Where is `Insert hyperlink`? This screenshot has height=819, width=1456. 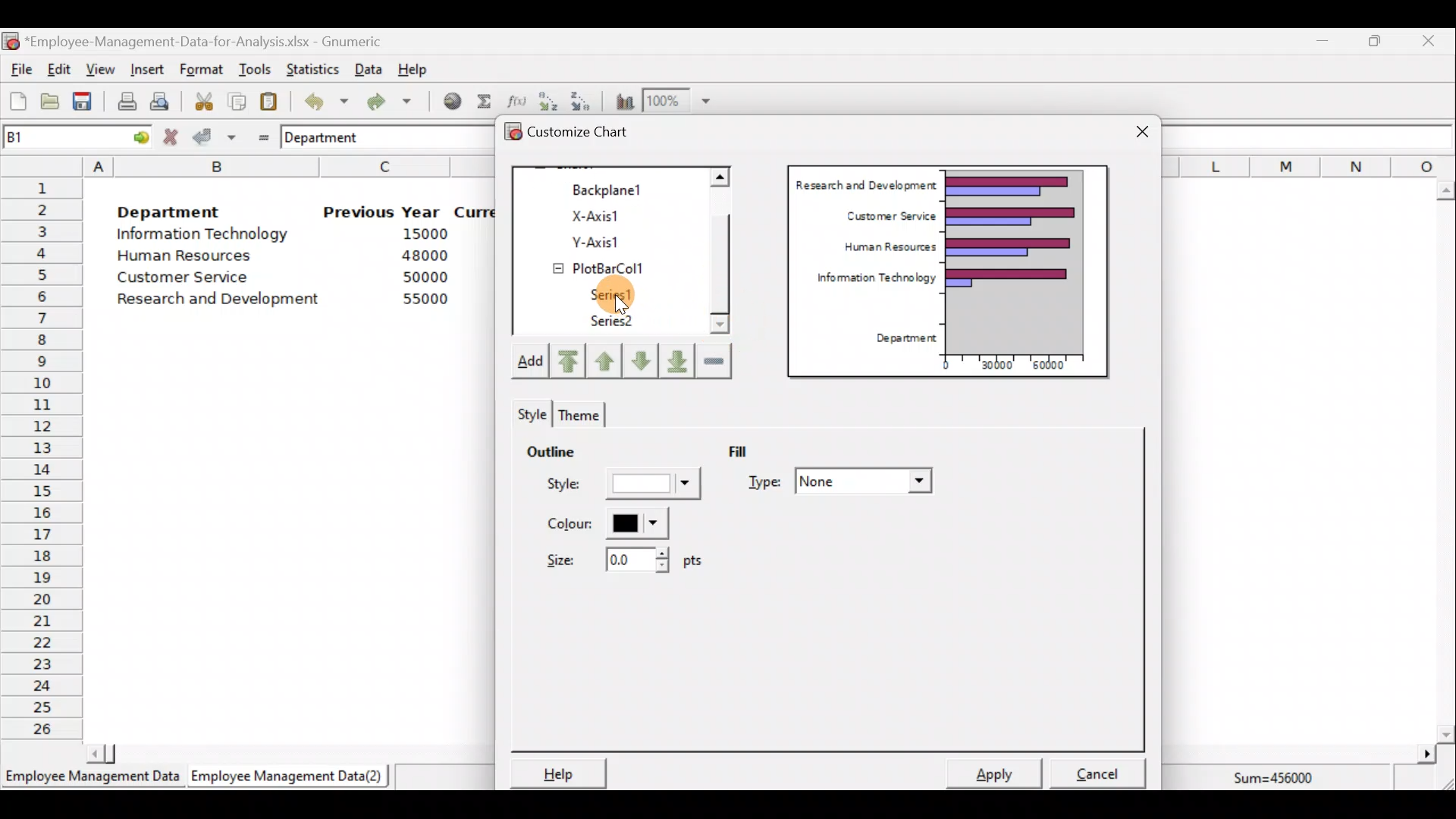
Insert hyperlink is located at coordinates (447, 100).